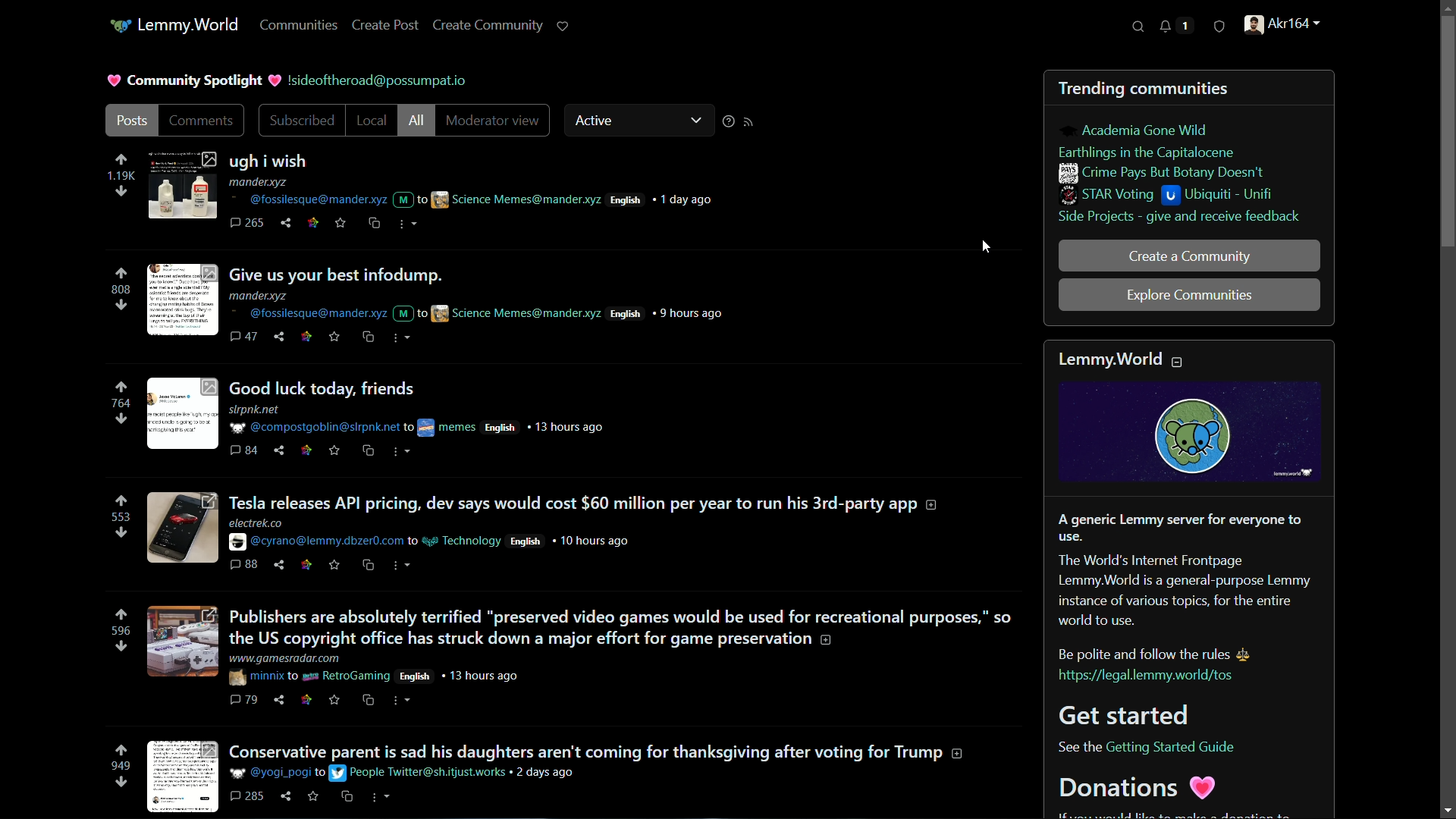  What do you see at coordinates (121, 304) in the screenshot?
I see `downvote` at bounding box center [121, 304].